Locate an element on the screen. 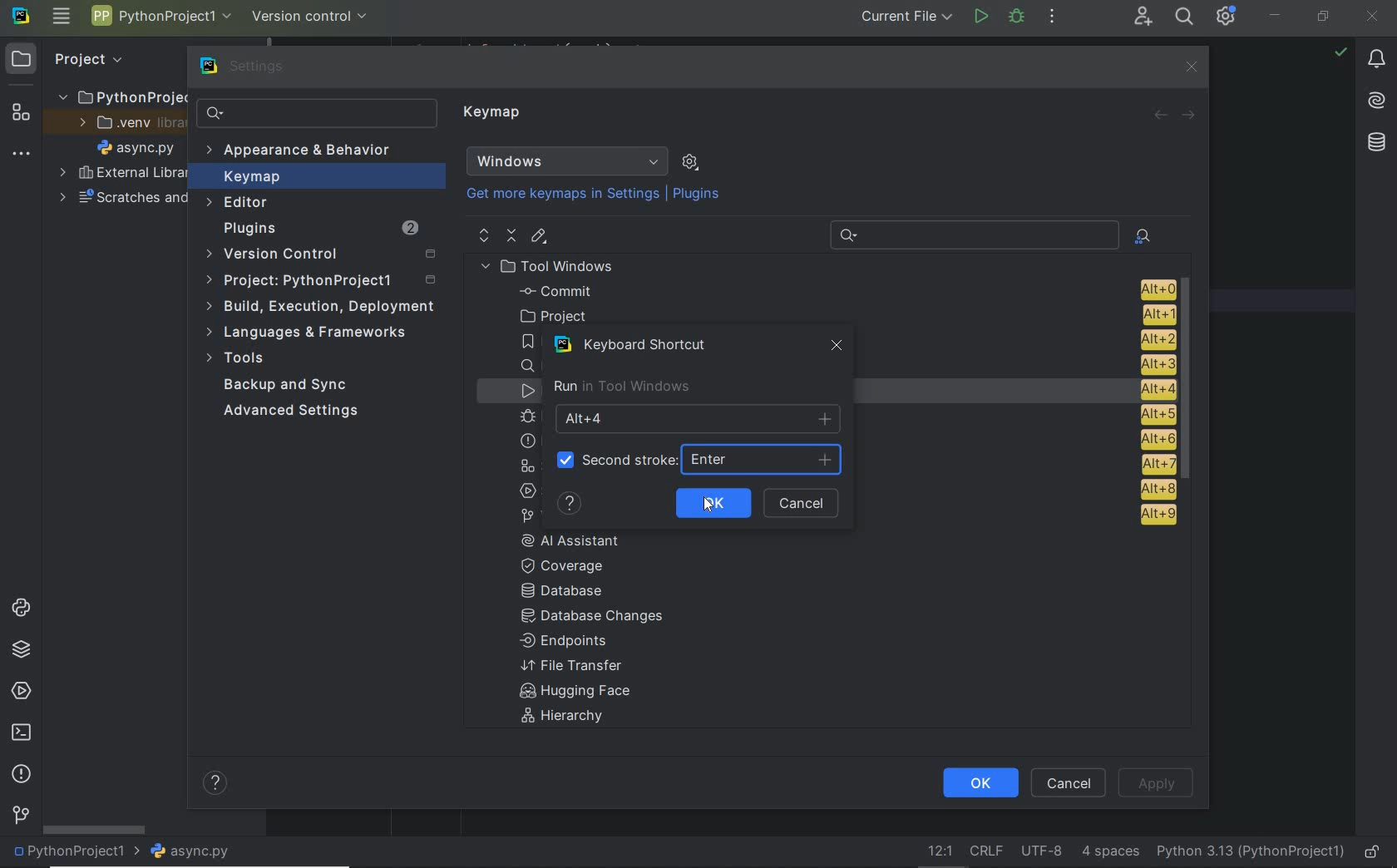  Indent is located at coordinates (1110, 853).